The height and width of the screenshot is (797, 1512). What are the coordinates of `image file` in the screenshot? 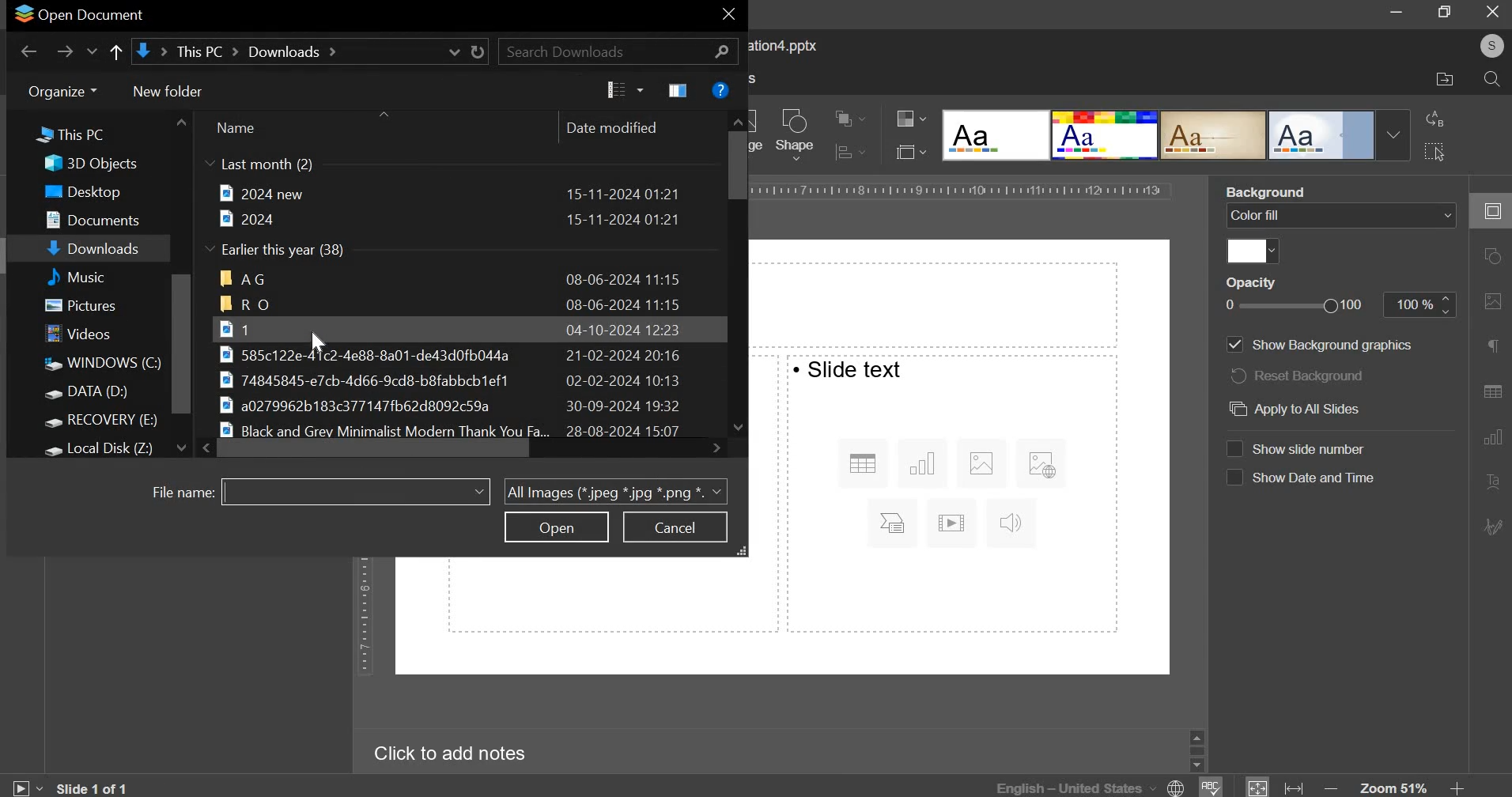 It's located at (461, 406).